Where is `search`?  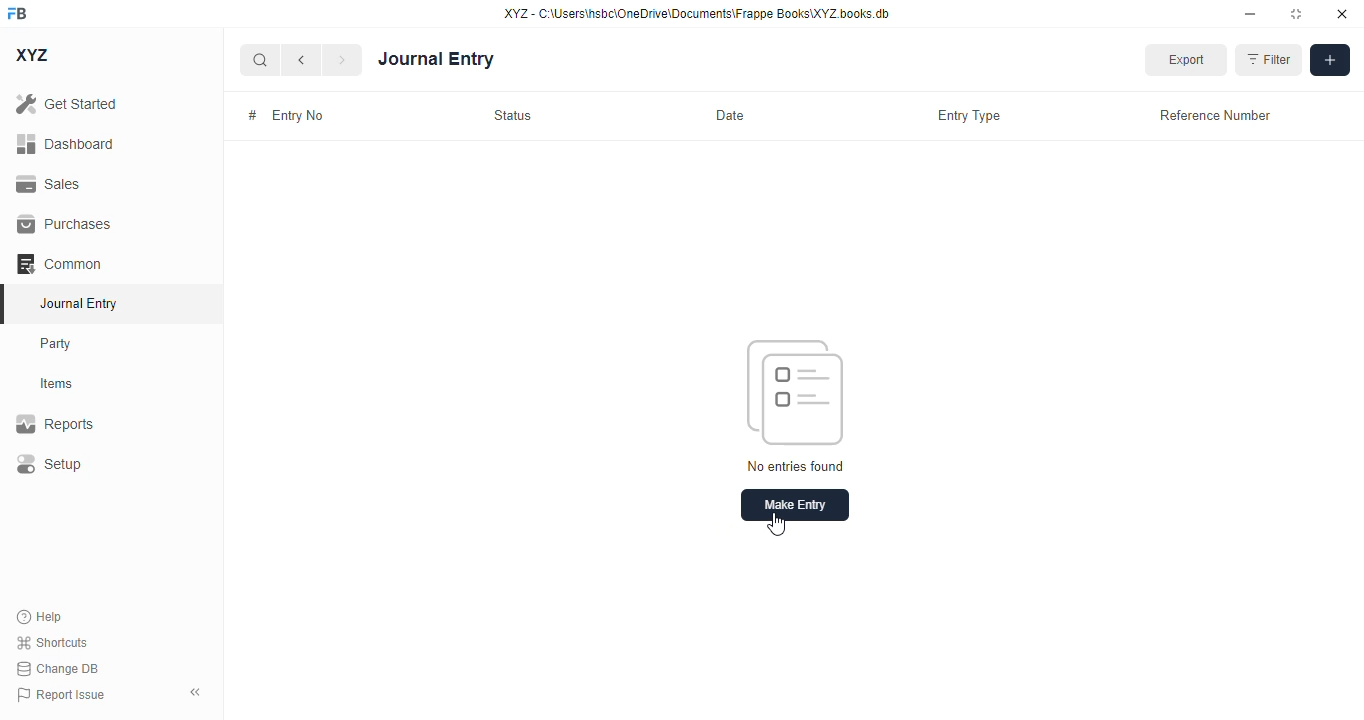
search is located at coordinates (259, 60).